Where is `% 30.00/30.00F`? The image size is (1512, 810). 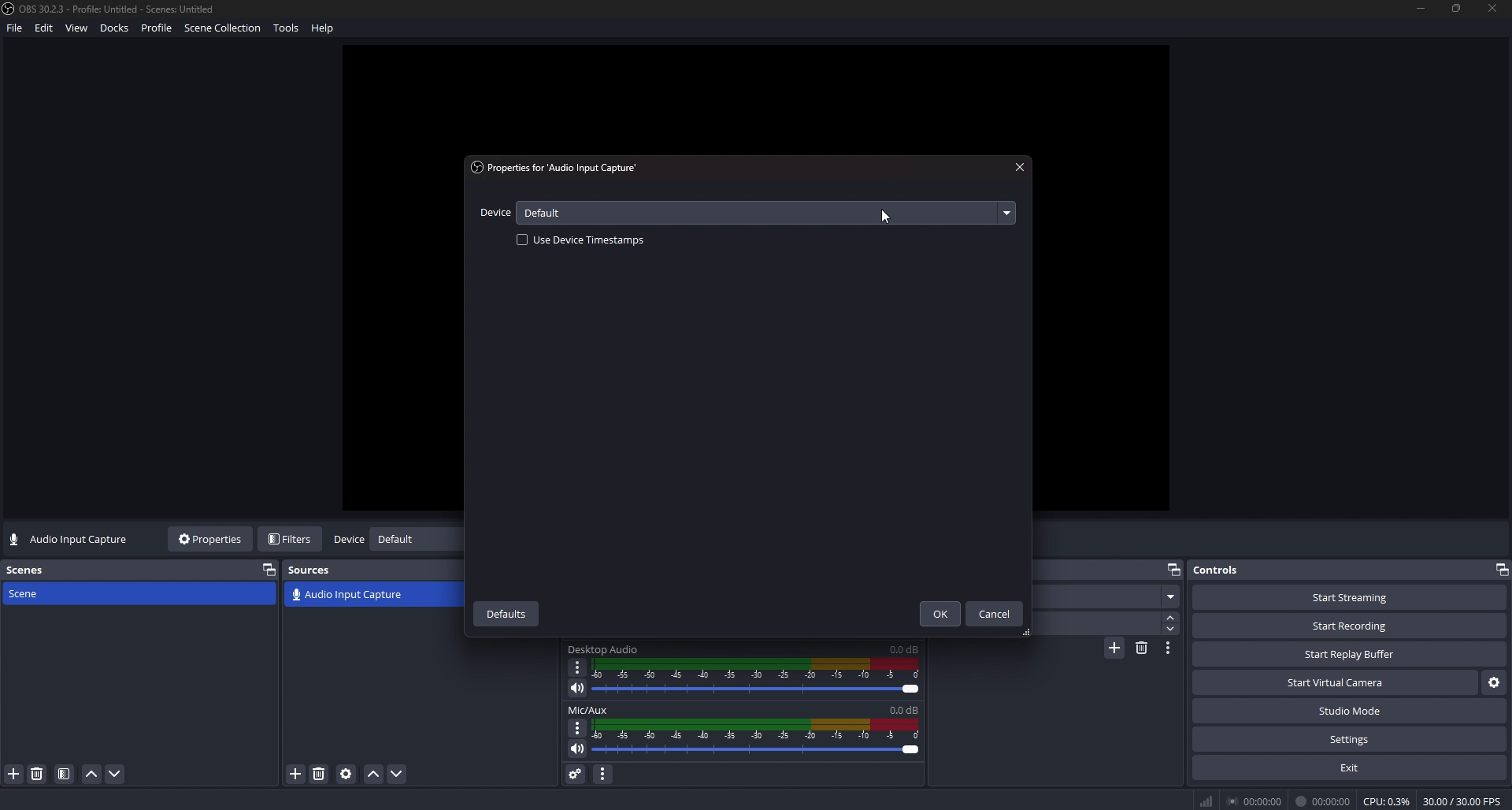 % 30.00/30.00F is located at coordinates (1466, 801).